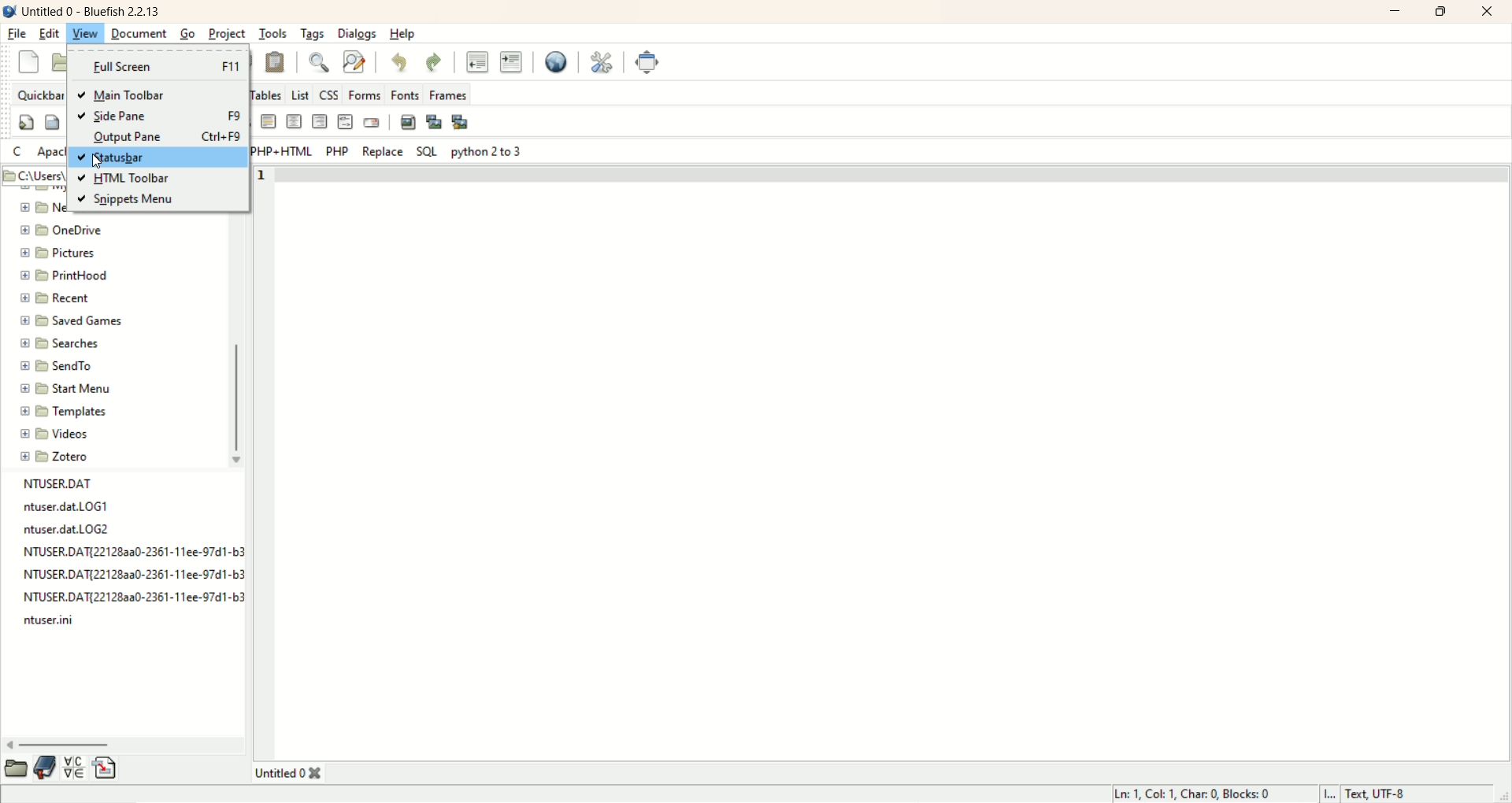 This screenshot has width=1512, height=803. I want to click on open, so click(14, 768).